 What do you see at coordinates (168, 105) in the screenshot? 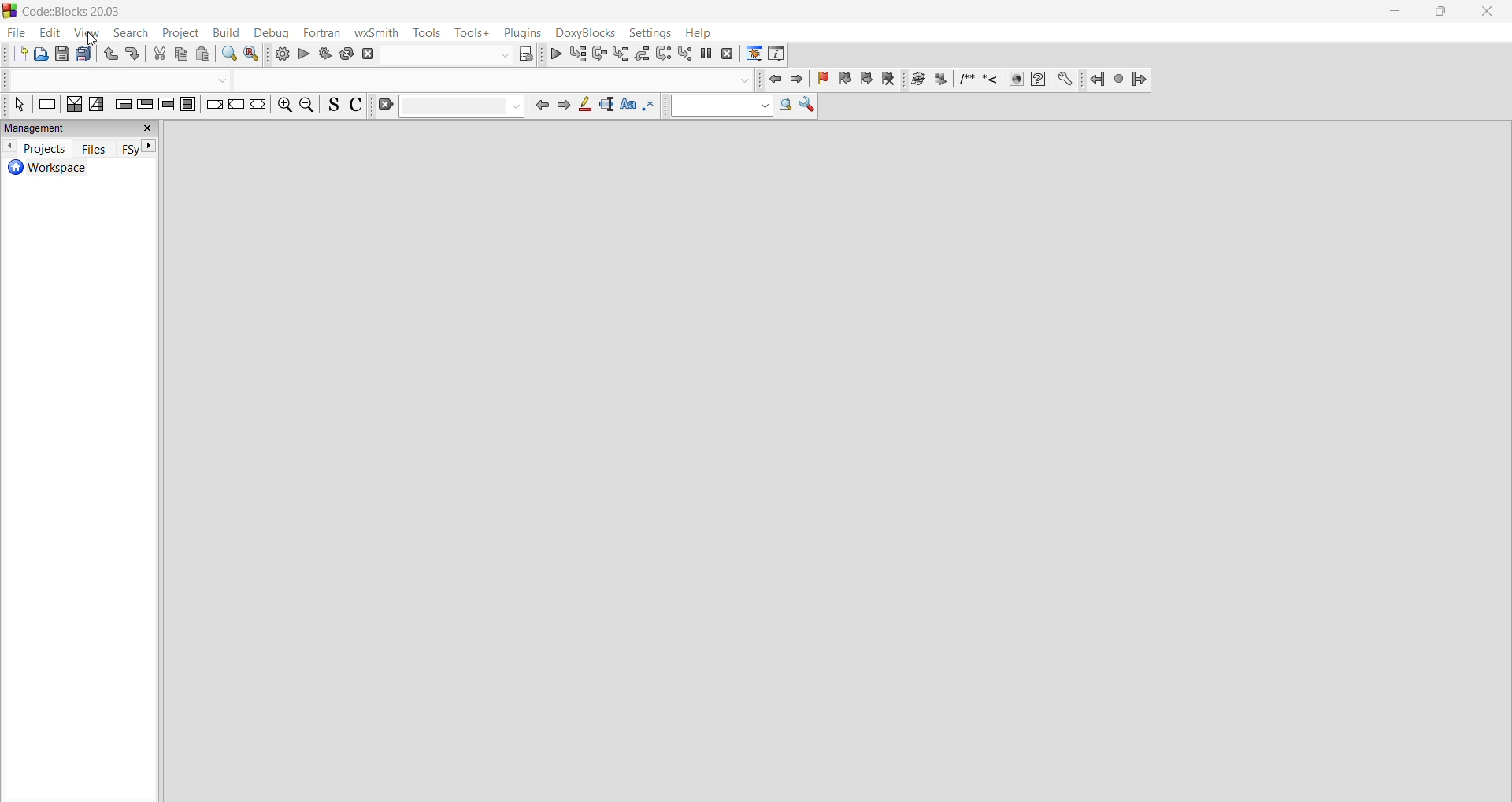
I see `counting loop ` at bounding box center [168, 105].